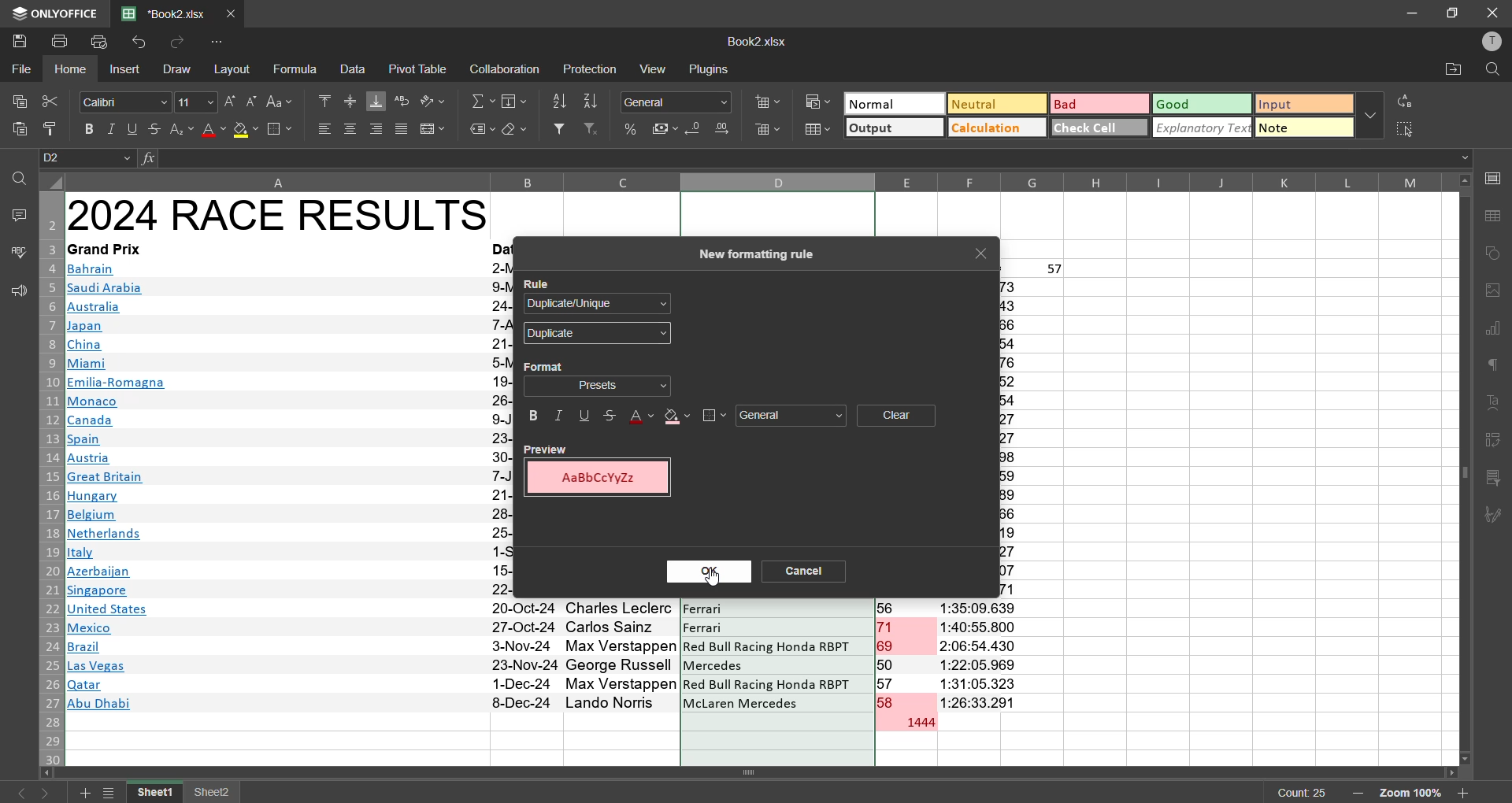  Describe the element at coordinates (1454, 12) in the screenshot. I see `maximize` at that location.